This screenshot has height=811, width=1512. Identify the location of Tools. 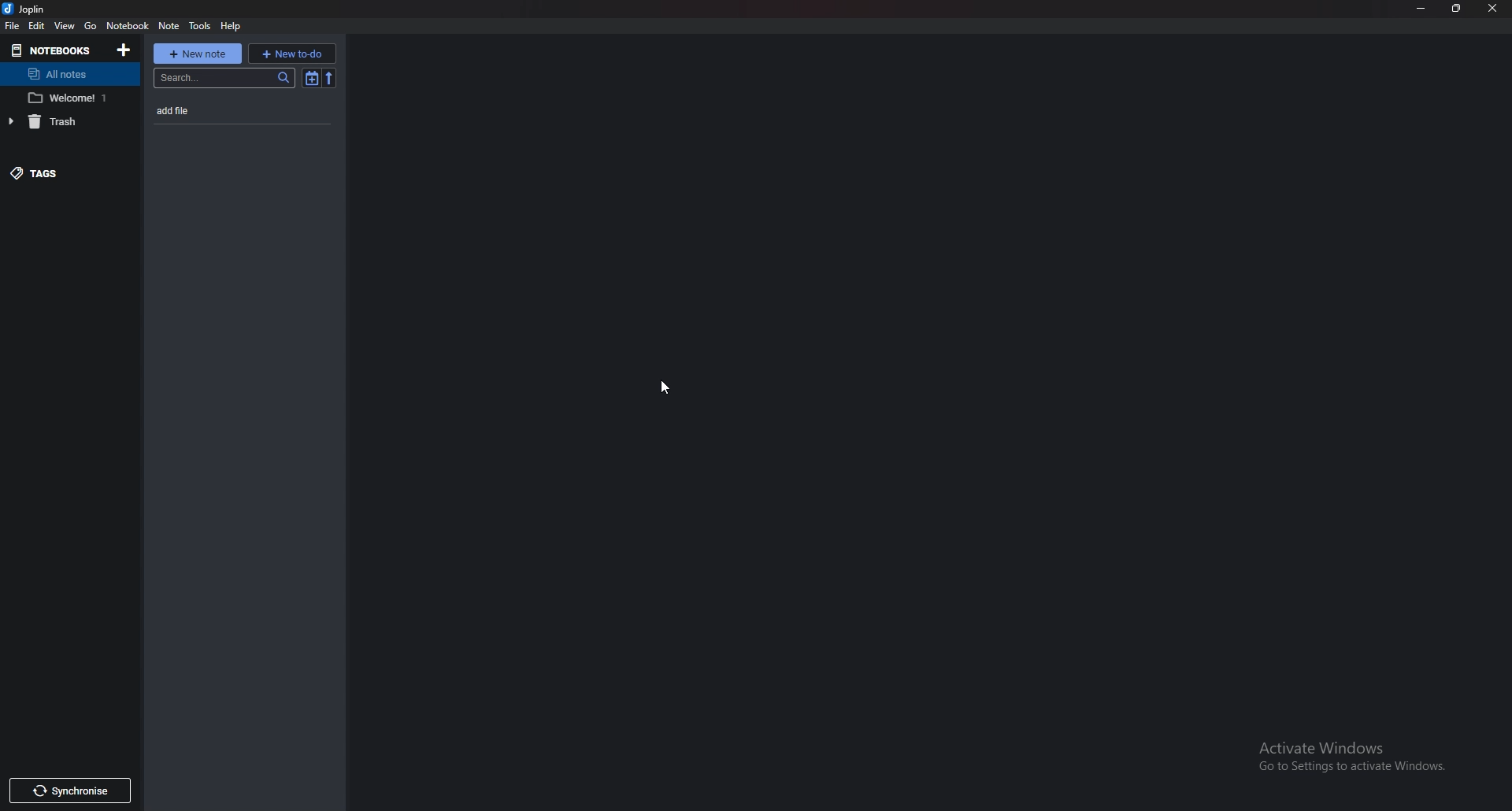
(201, 26).